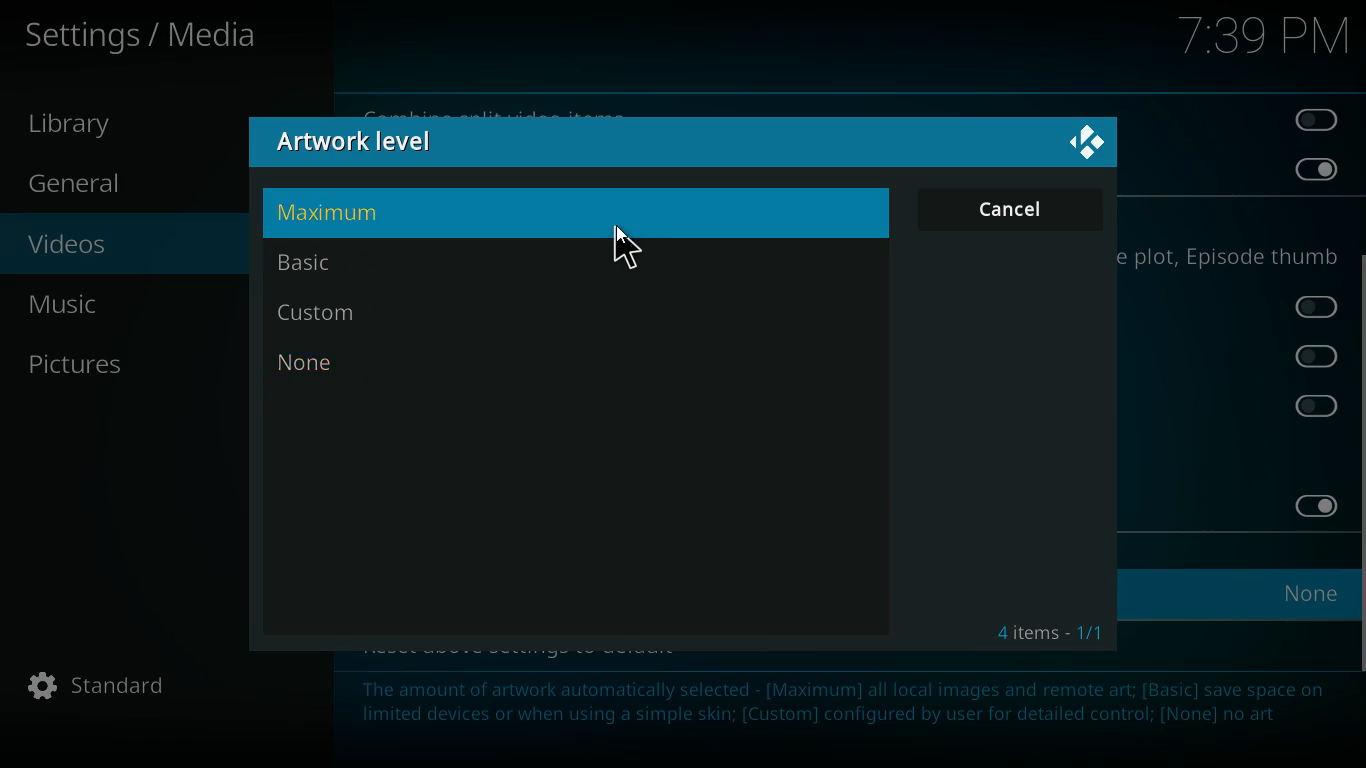 Image resolution: width=1366 pixels, height=768 pixels. What do you see at coordinates (840, 716) in the screenshot?
I see `message` at bounding box center [840, 716].